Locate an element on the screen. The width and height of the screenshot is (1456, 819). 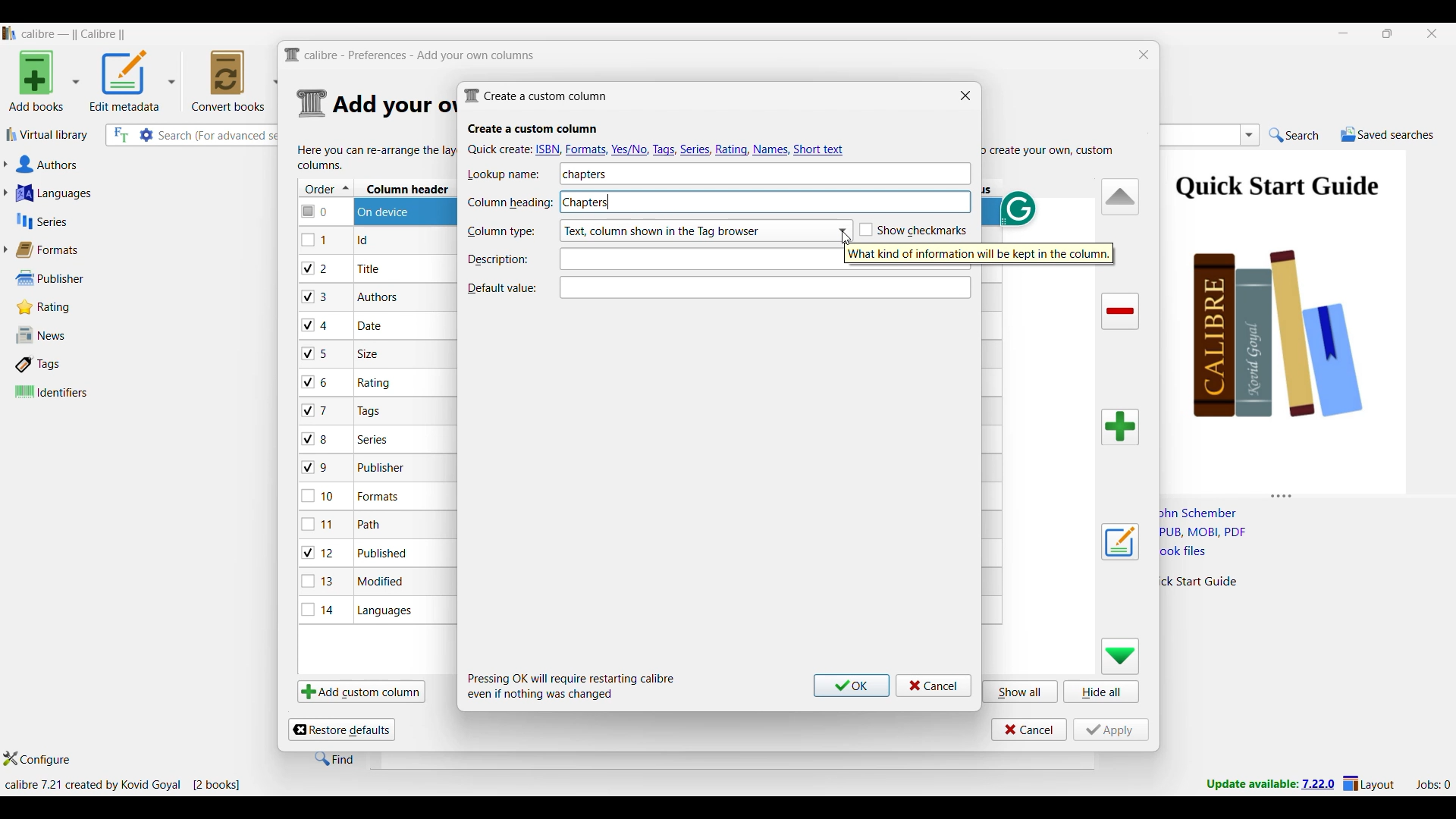
checkbox - 2 is located at coordinates (315, 268).